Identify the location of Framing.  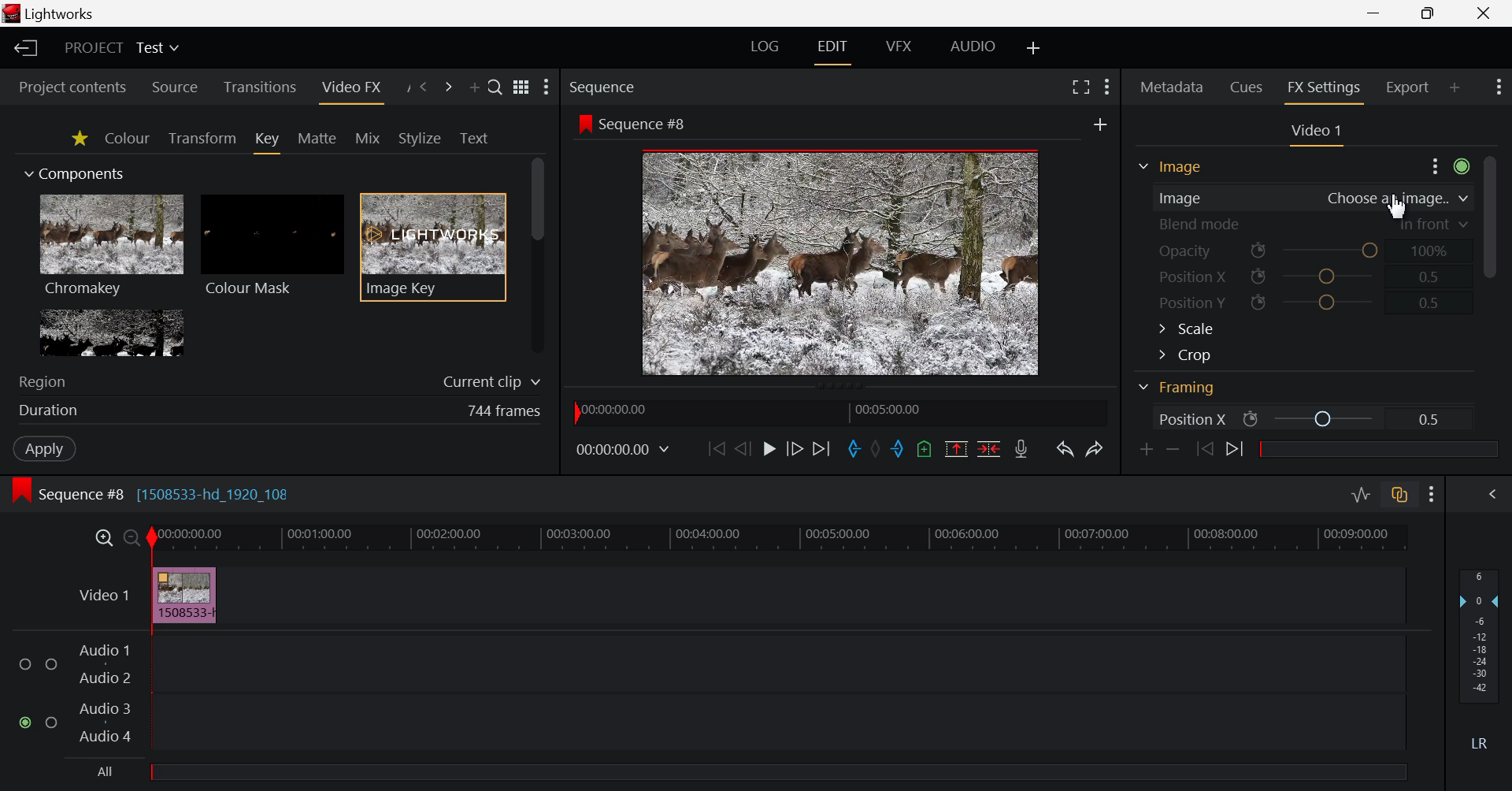
(1291, 387).